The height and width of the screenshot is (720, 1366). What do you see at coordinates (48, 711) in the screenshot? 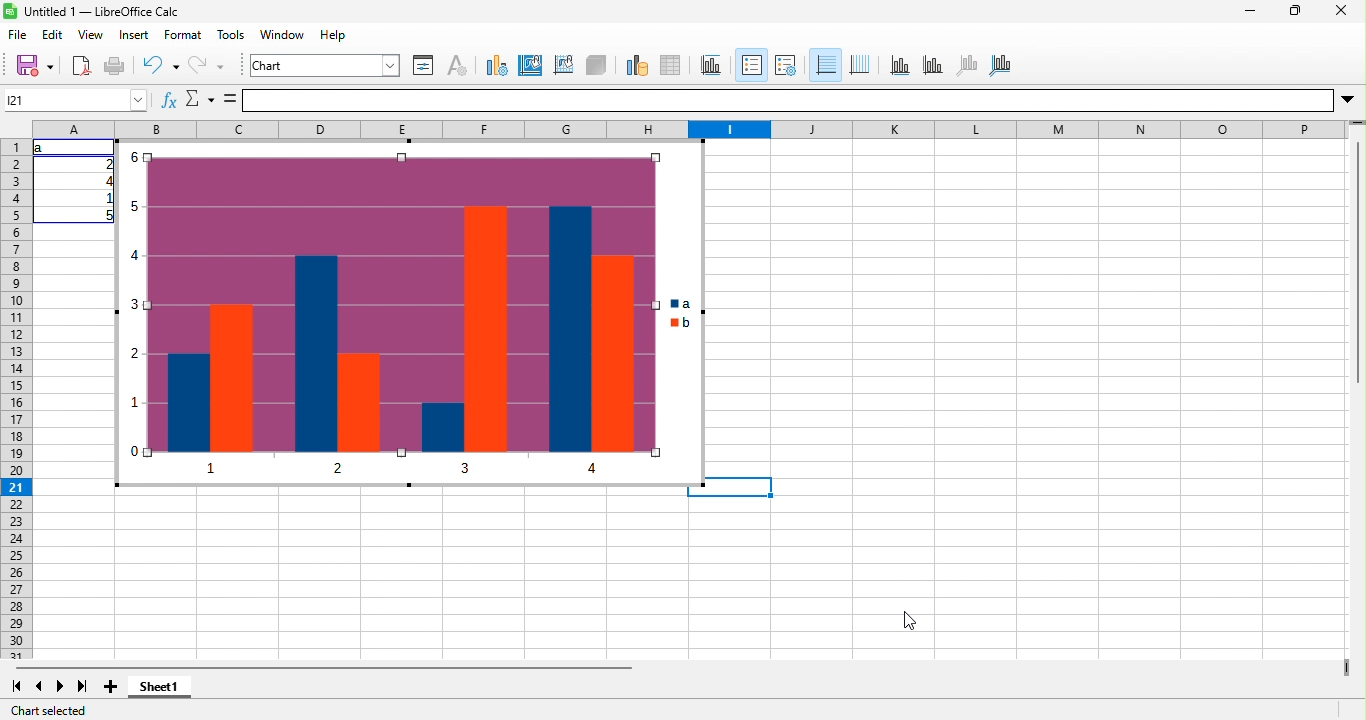
I see `chart selected` at bounding box center [48, 711].